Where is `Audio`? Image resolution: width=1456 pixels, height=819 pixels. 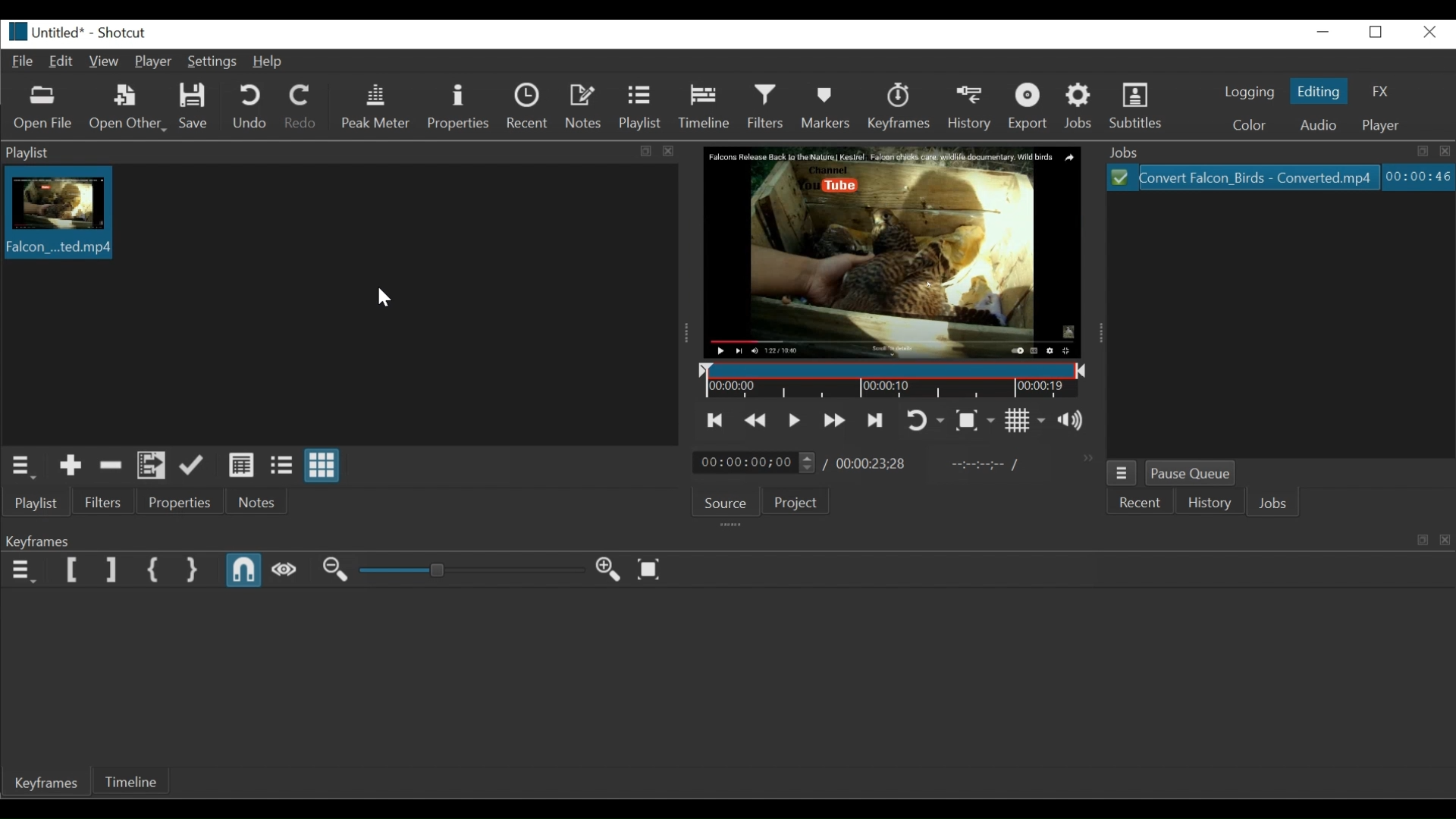 Audio is located at coordinates (1321, 125).